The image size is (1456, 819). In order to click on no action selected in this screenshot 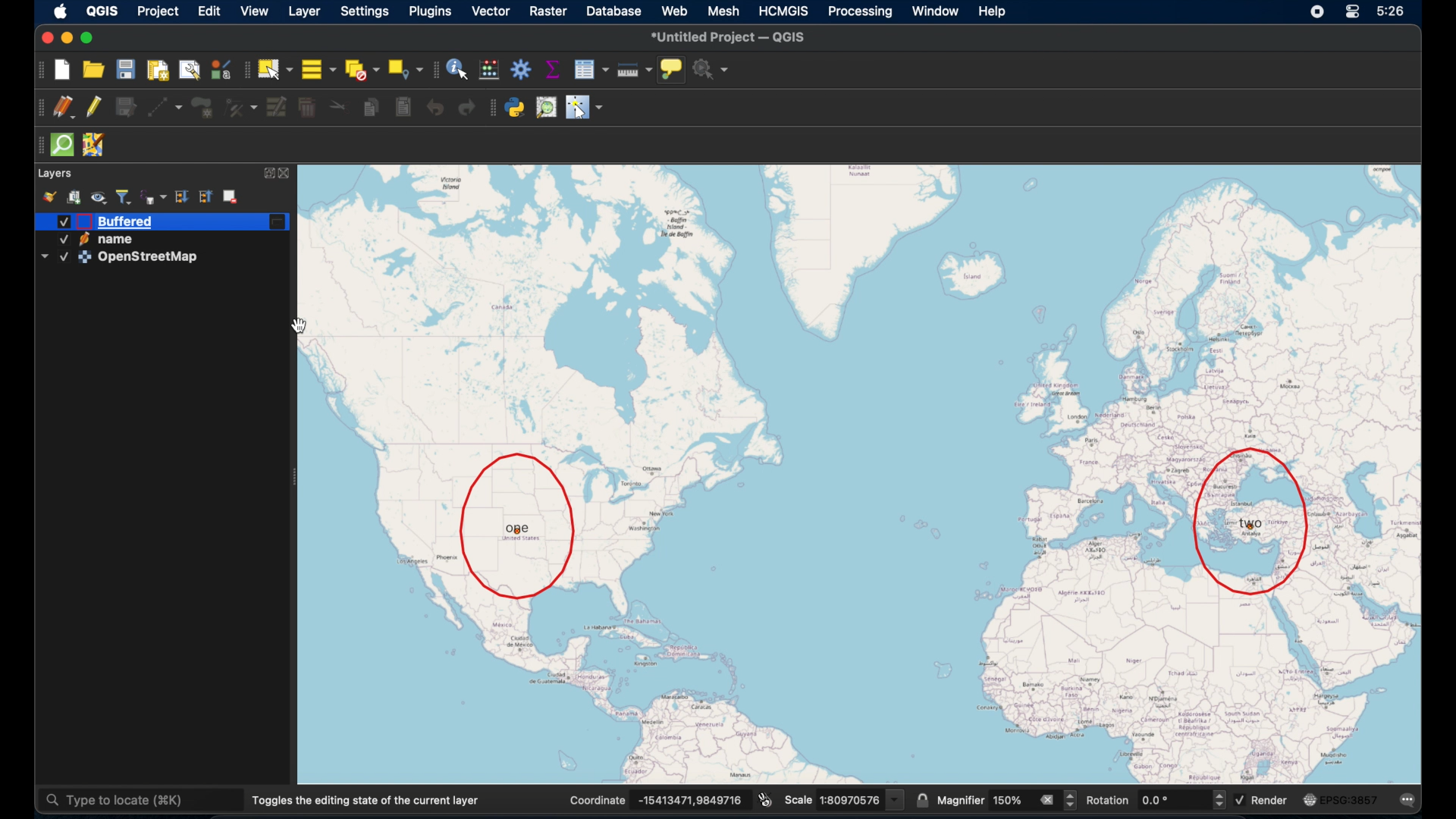, I will do `click(711, 69)`.